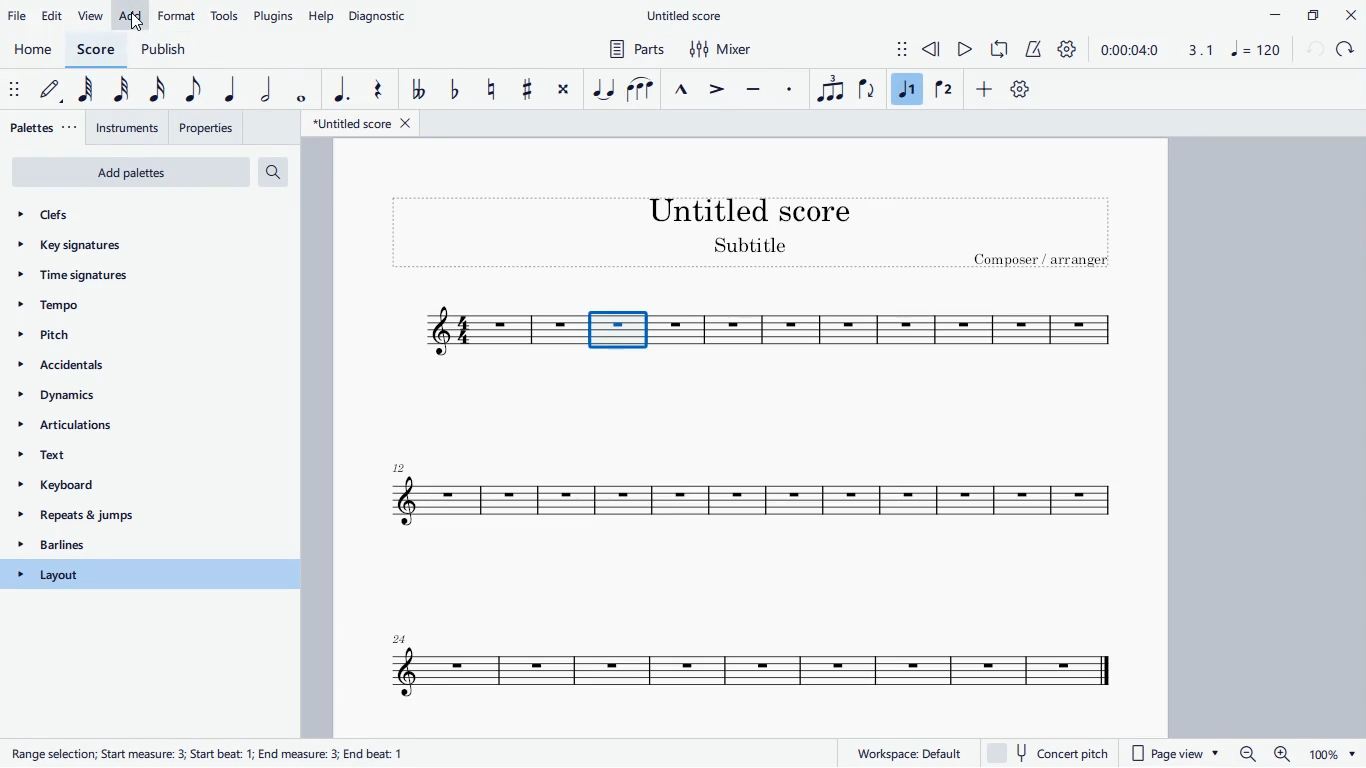 Image resolution: width=1366 pixels, height=768 pixels. I want to click on 32nd note, so click(127, 89).